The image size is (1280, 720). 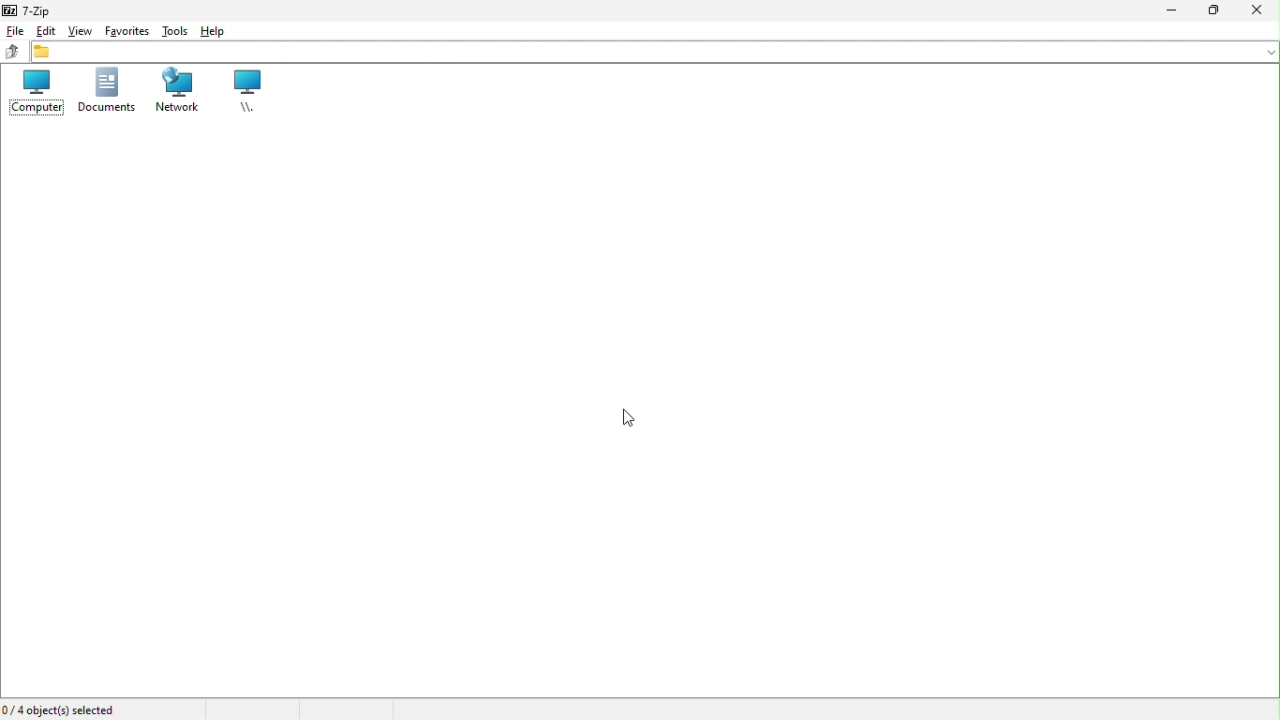 I want to click on up, so click(x=12, y=52).